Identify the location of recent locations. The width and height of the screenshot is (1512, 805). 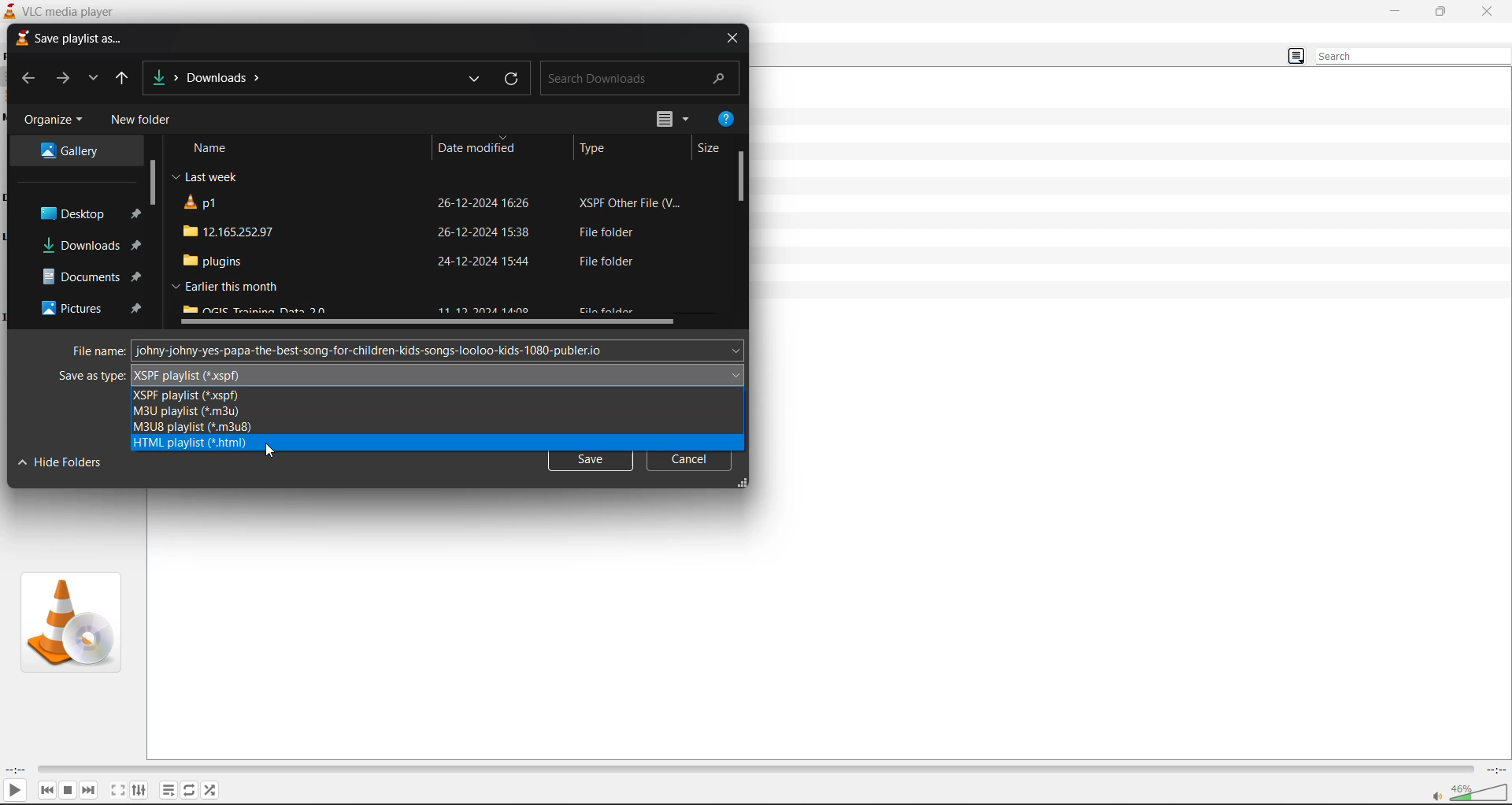
(97, 79).